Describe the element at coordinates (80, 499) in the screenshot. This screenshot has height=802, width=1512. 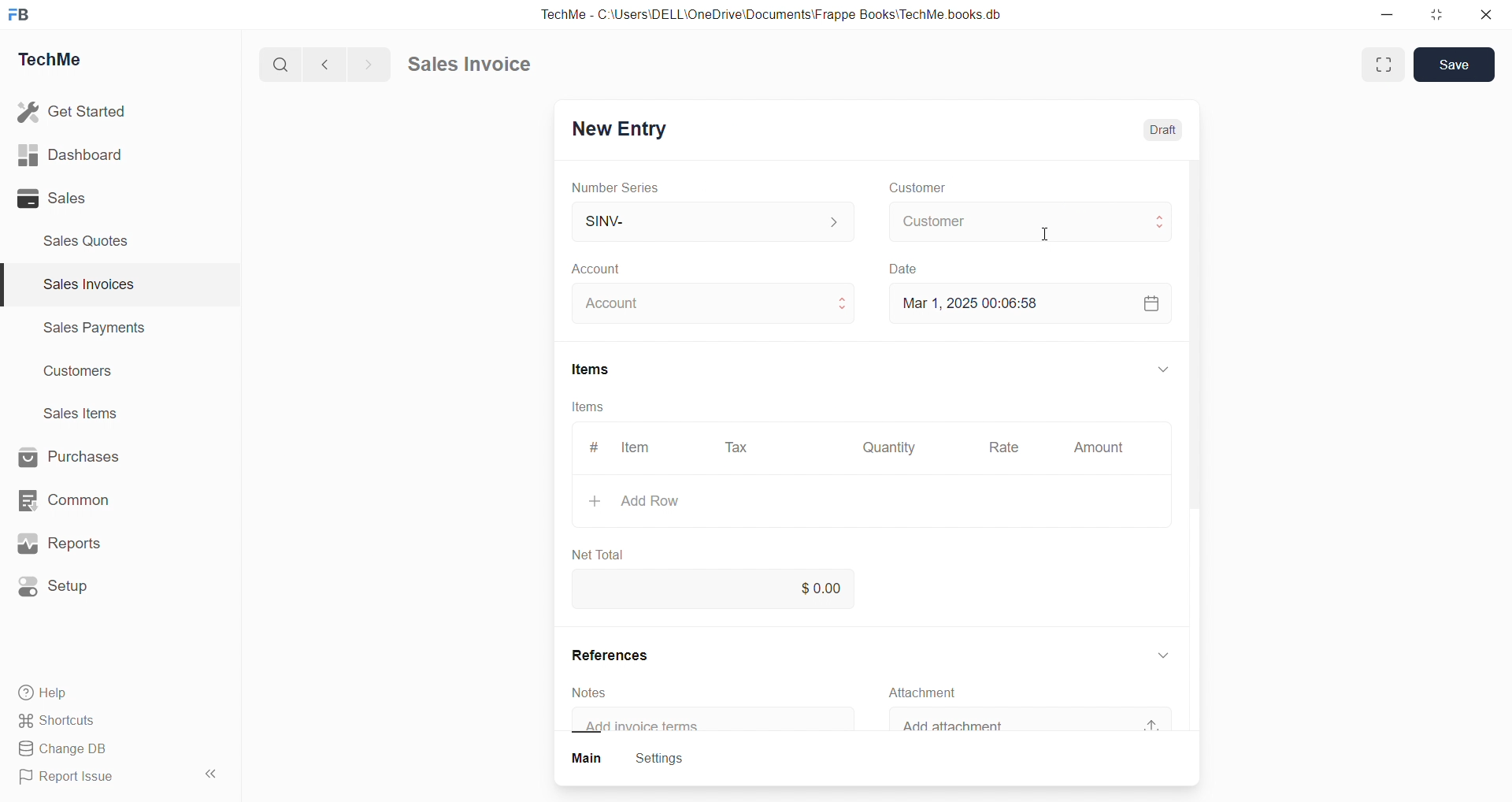
I see `EB Common` at that location.